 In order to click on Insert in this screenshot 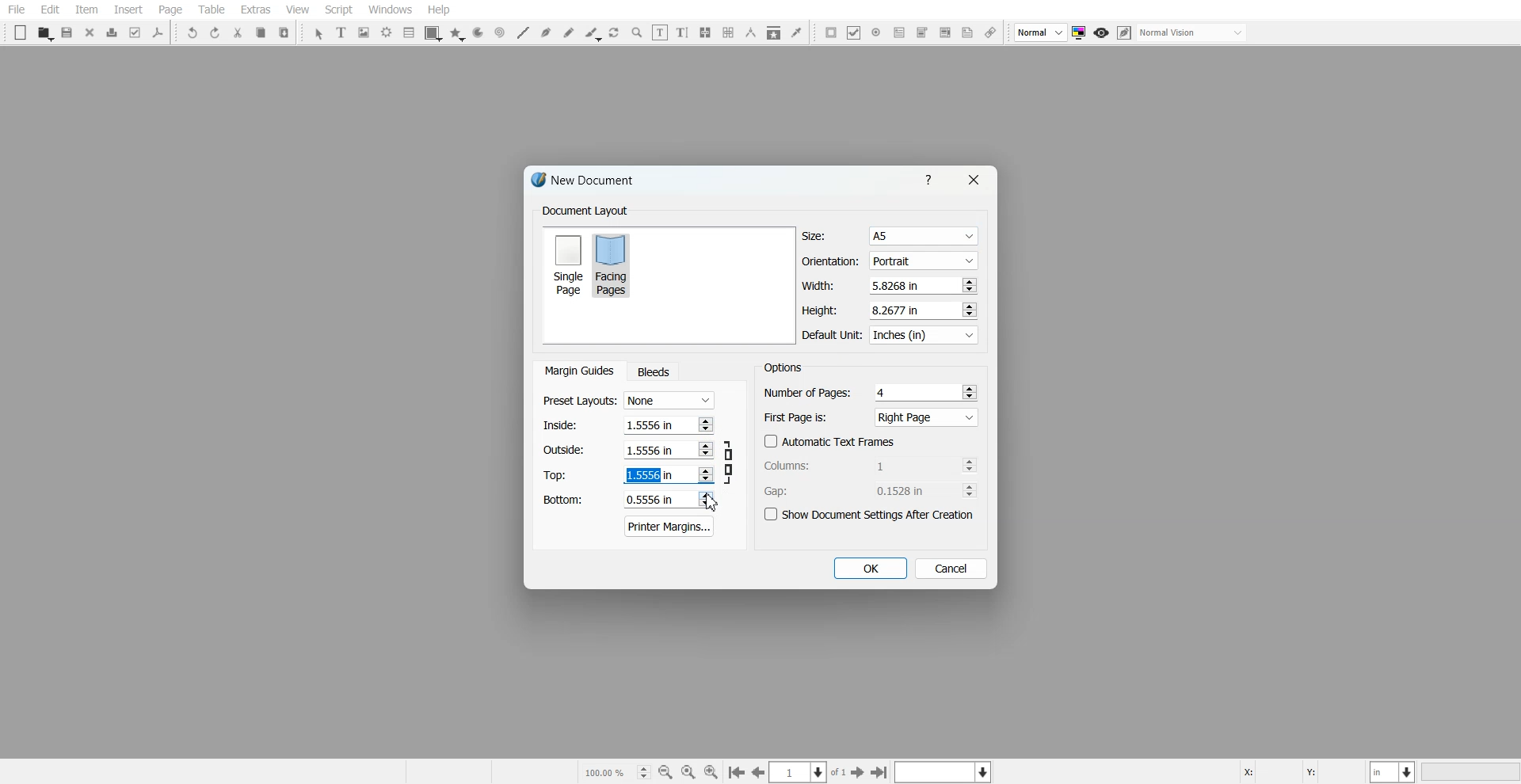, I will do `click(128, 10)`.